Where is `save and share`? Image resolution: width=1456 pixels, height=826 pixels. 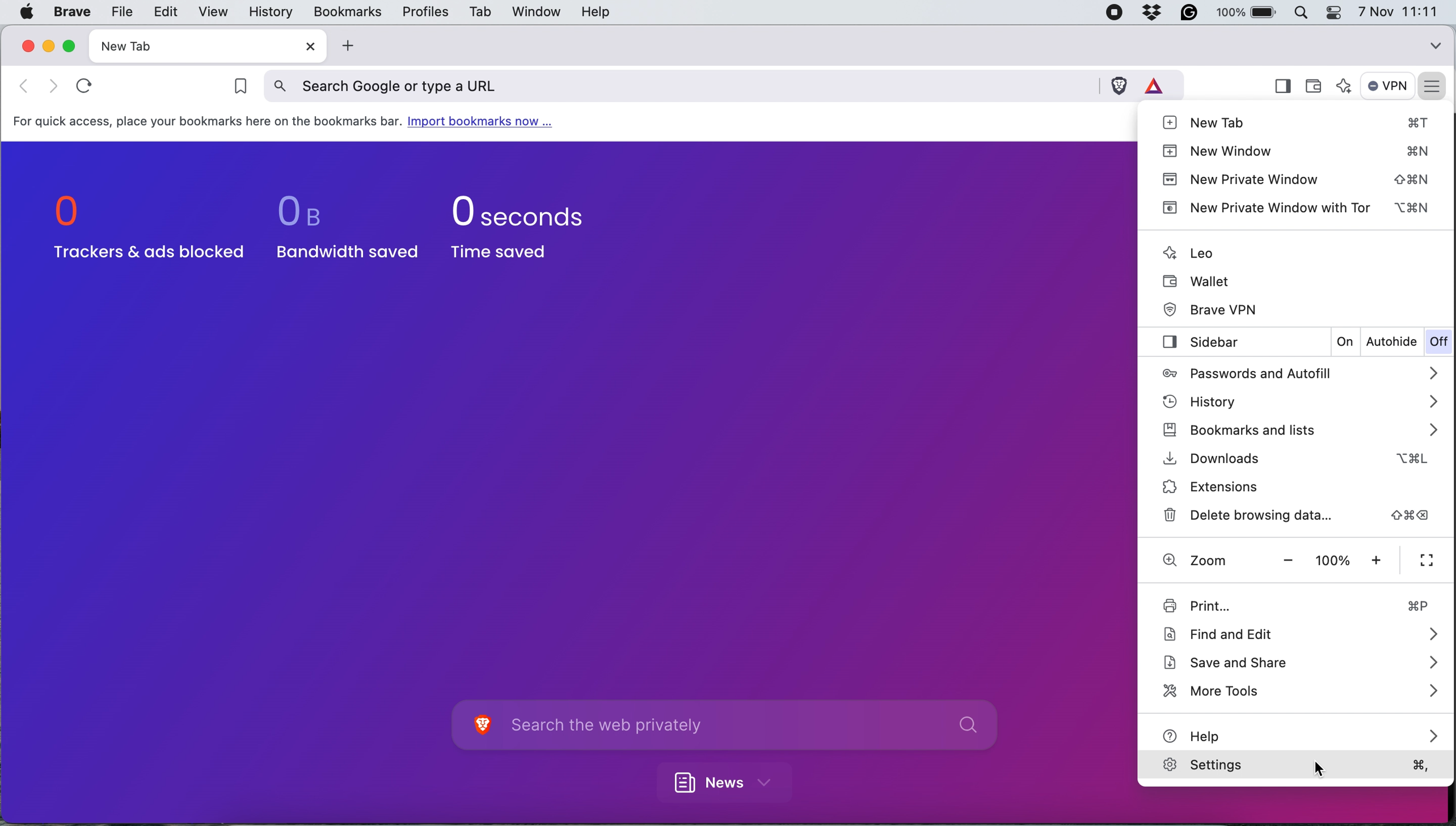
save and share is located at coordinates (1299, 663).